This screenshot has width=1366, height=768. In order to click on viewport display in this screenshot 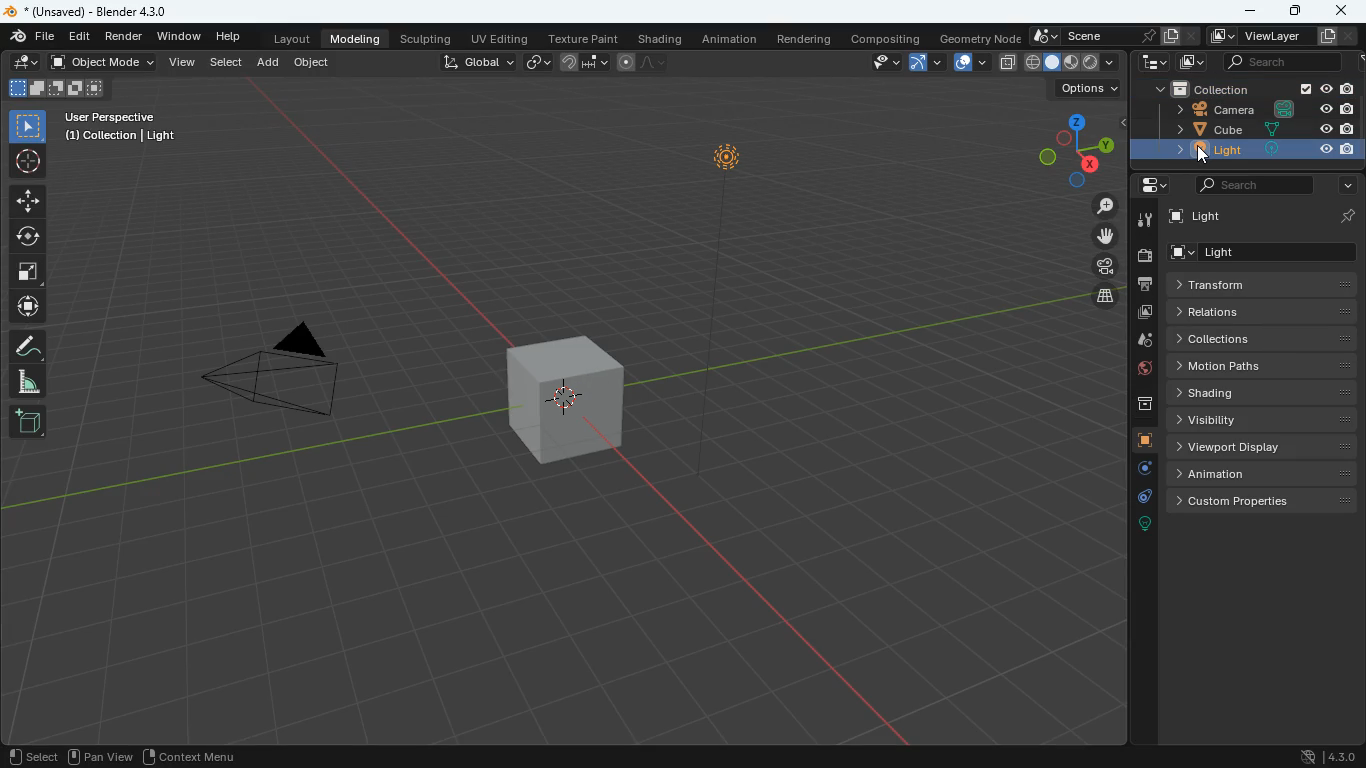, I will do `click(1264, 448)`.